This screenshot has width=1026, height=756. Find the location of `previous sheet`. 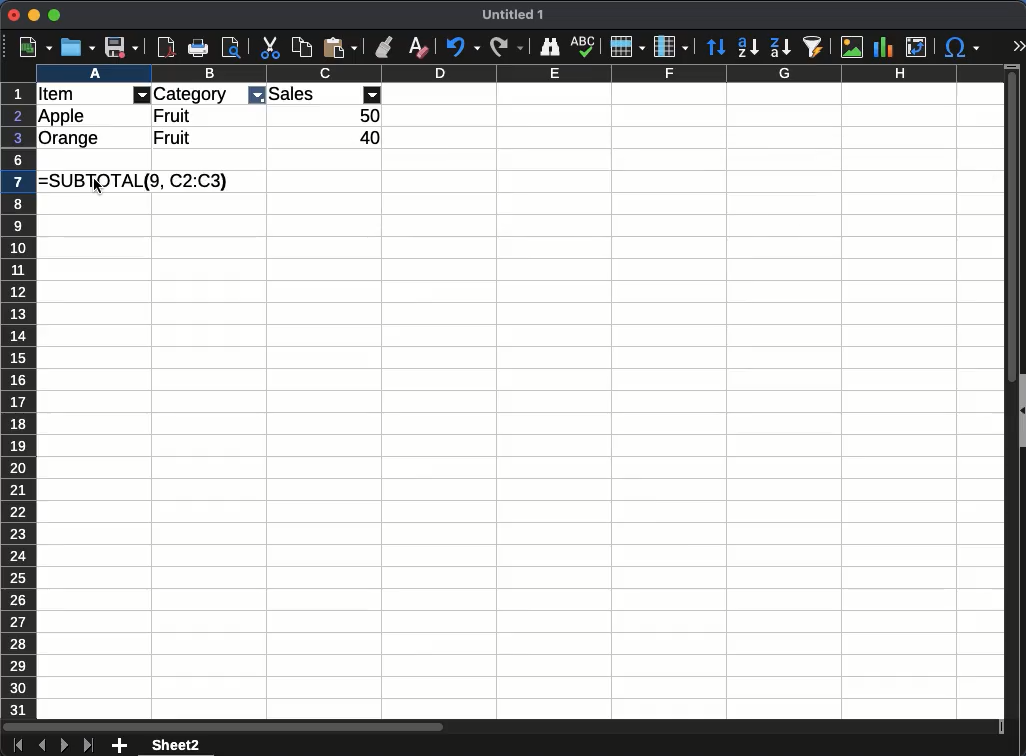

previous sheet is located at coordinates (42, 745).